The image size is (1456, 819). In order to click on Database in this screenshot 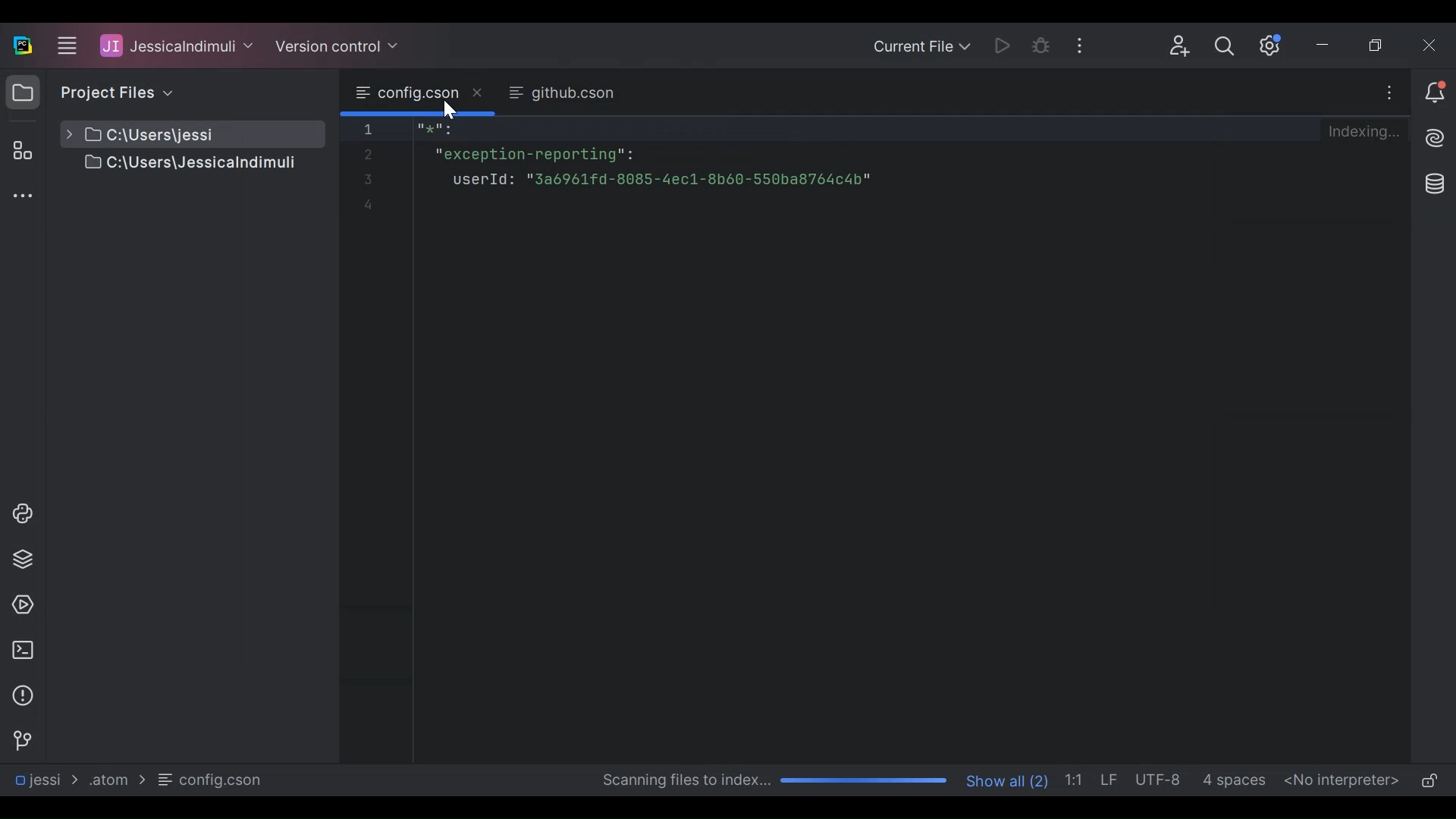, I will do `click(1436, 185)`.